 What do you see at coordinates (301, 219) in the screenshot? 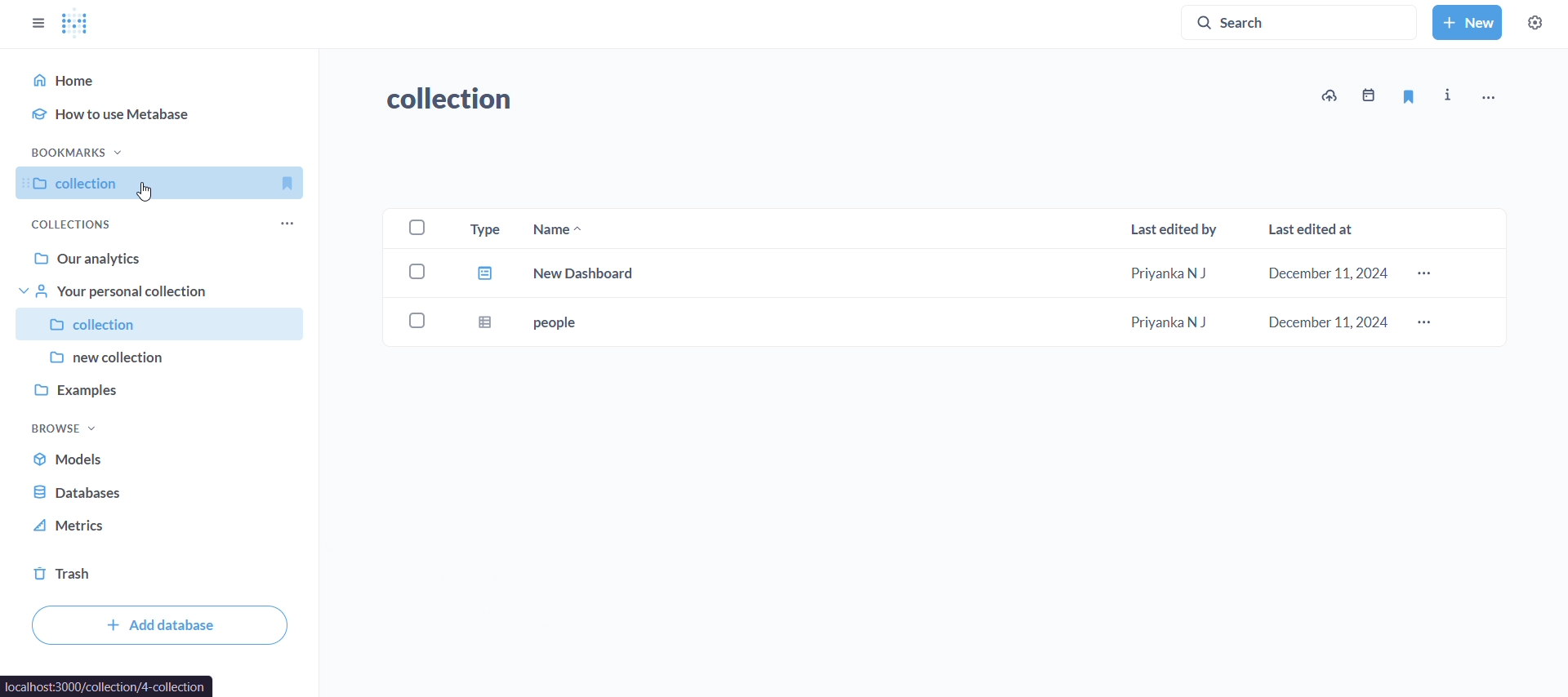
I see `collection  menu` at bounding box center [301, 219].